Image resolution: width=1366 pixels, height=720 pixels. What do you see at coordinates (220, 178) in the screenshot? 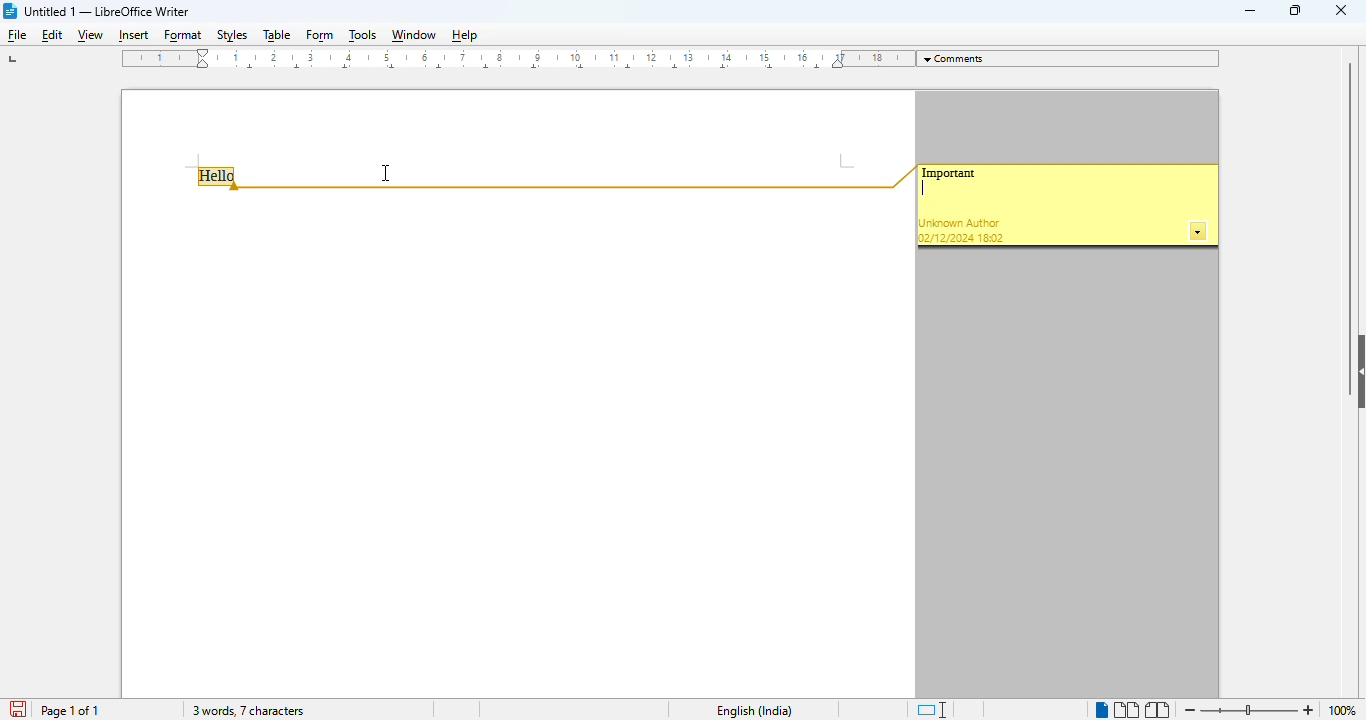
I see `hotkey (Ctrl+alt+C) on selected text` at bounding box center [220, 178].